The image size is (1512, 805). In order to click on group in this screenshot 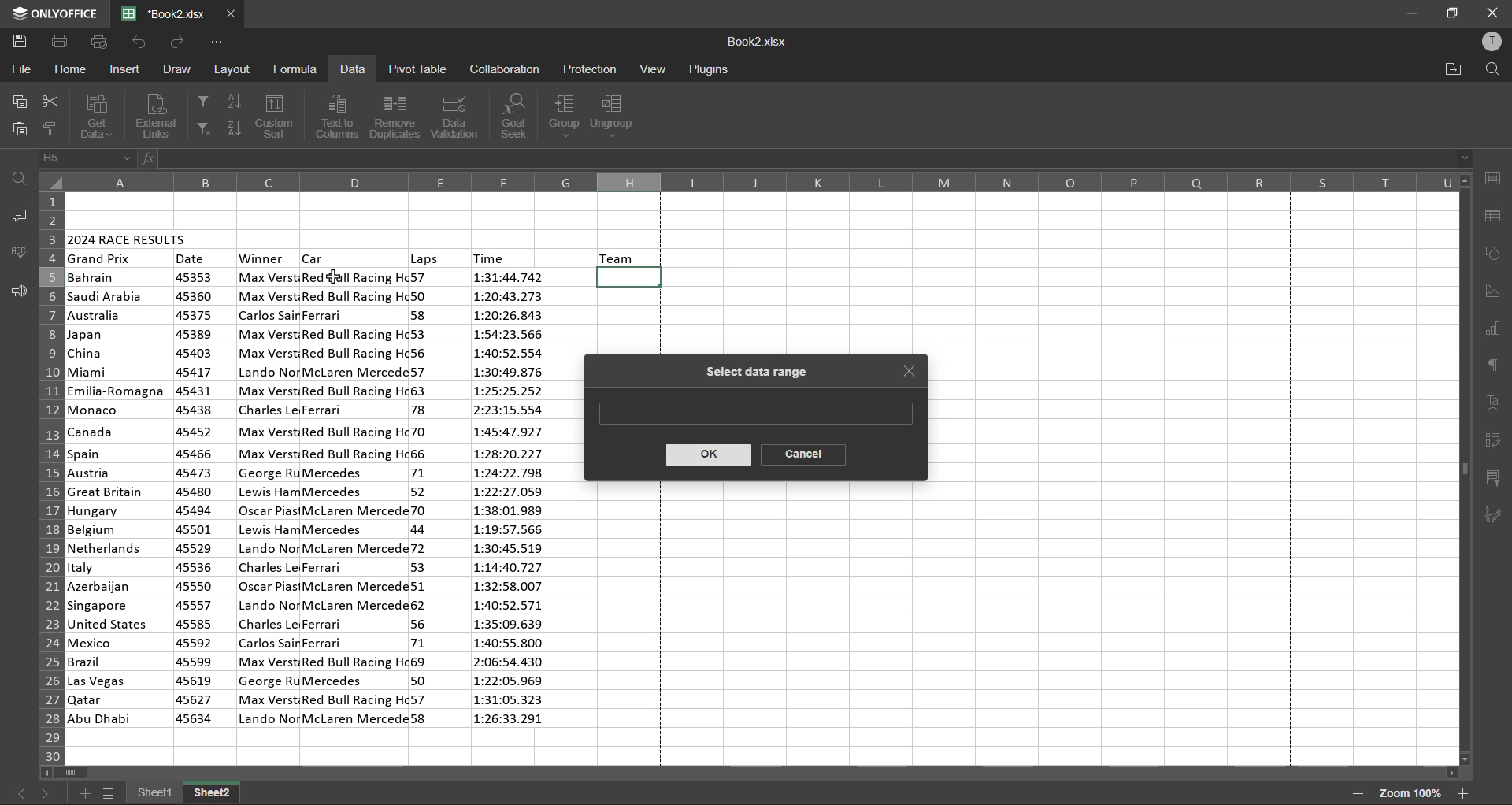, I will do `click(566, 115)`.